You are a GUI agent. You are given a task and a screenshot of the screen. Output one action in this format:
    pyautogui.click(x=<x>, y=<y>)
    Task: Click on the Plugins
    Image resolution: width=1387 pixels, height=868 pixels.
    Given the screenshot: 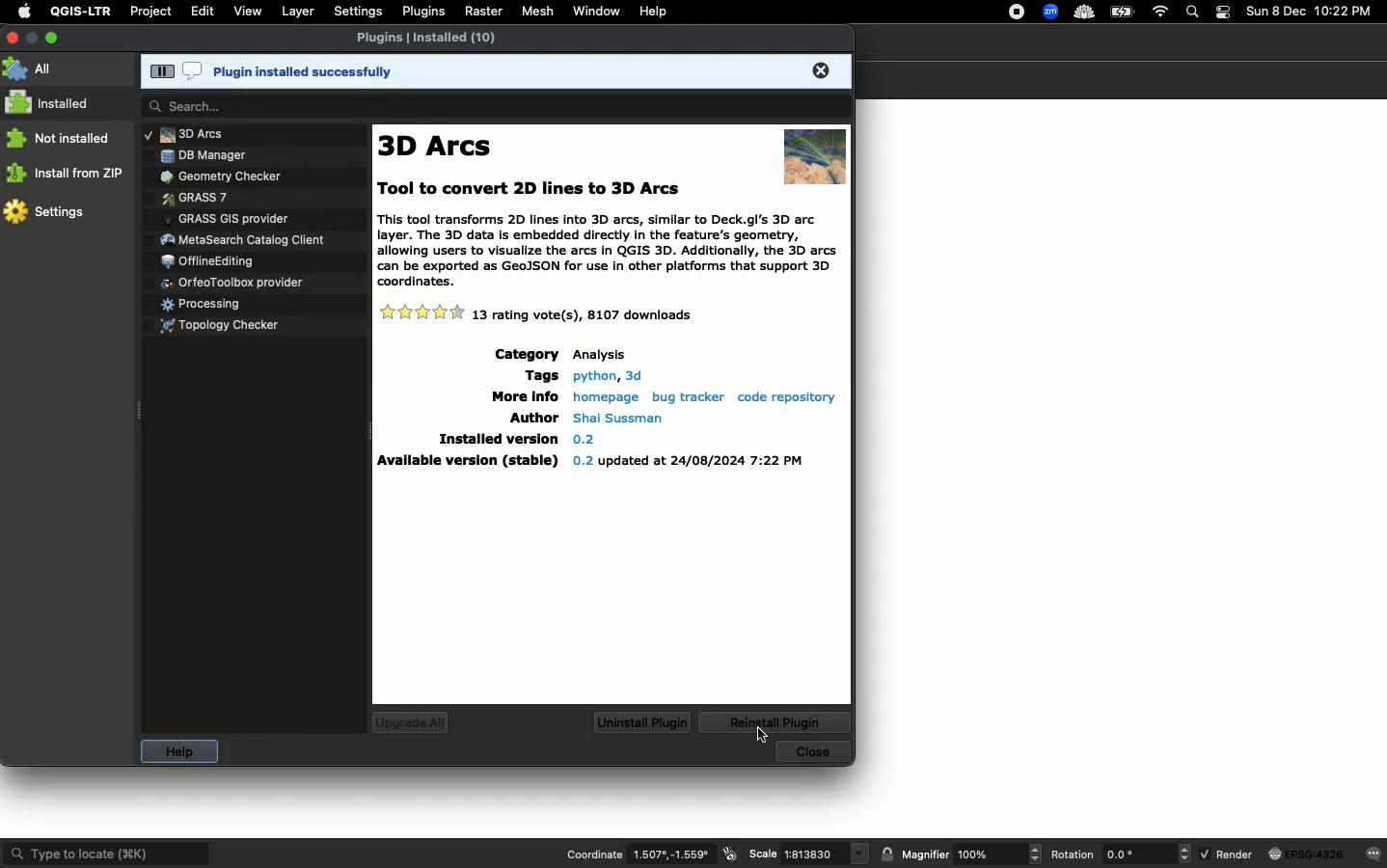 What is the action you would take?
    pyautogui.click(x=192, y=133)
    